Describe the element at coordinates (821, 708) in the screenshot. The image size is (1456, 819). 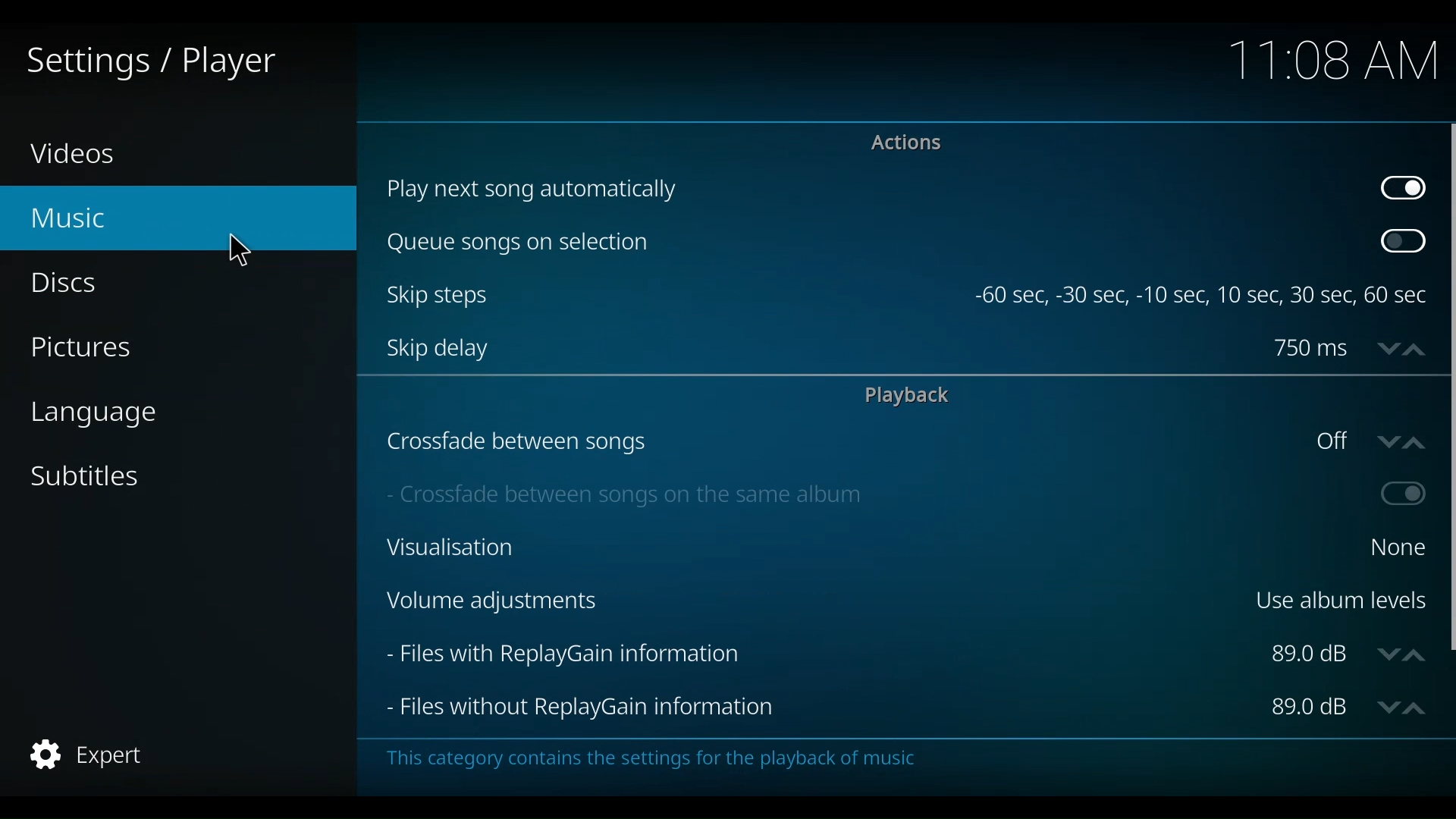
I see `Files without ReplayGain Information` at that location.